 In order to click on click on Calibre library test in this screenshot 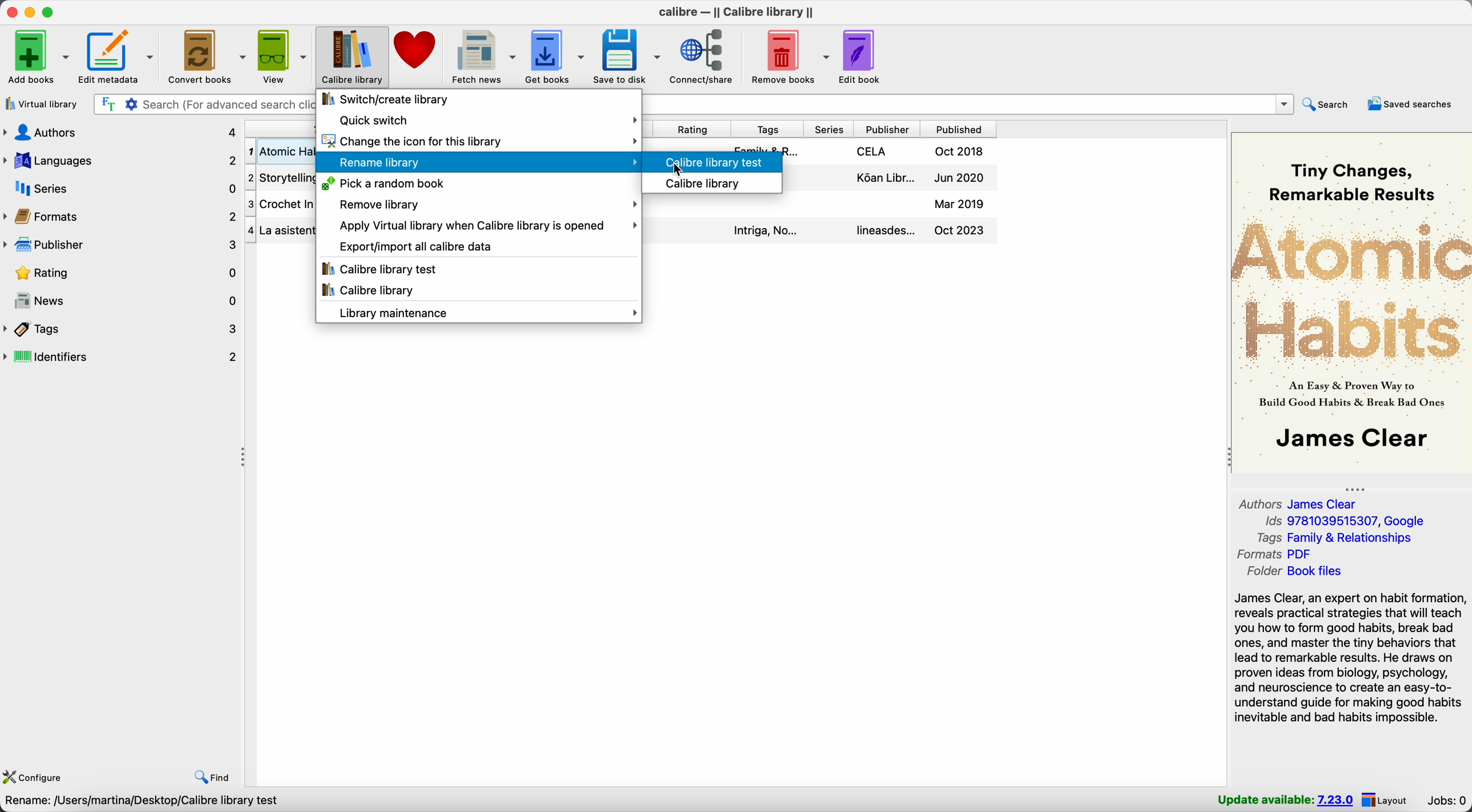, I will do `click(712, 159)`.